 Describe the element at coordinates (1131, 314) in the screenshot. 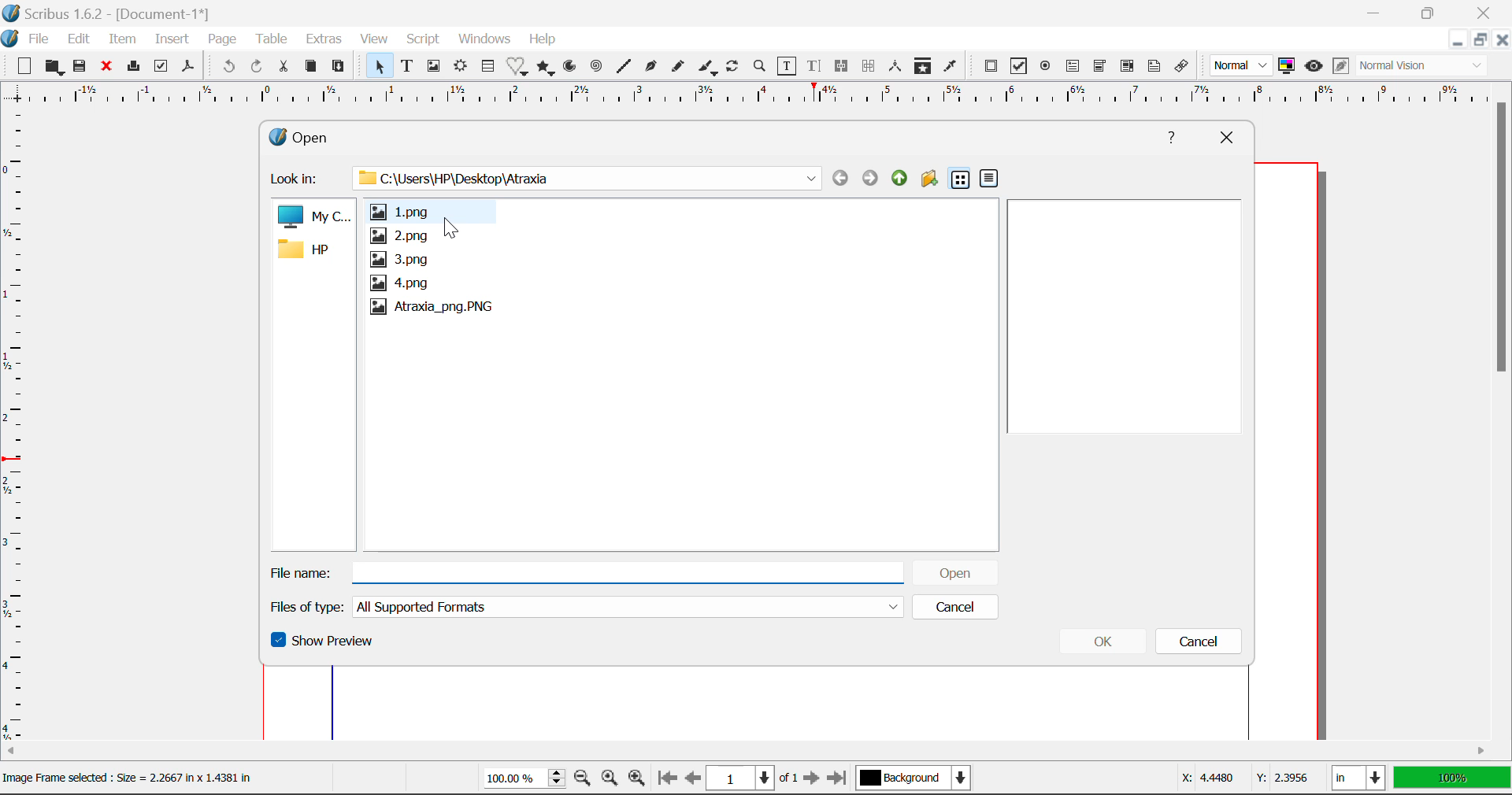

I see `Preview` at that location.